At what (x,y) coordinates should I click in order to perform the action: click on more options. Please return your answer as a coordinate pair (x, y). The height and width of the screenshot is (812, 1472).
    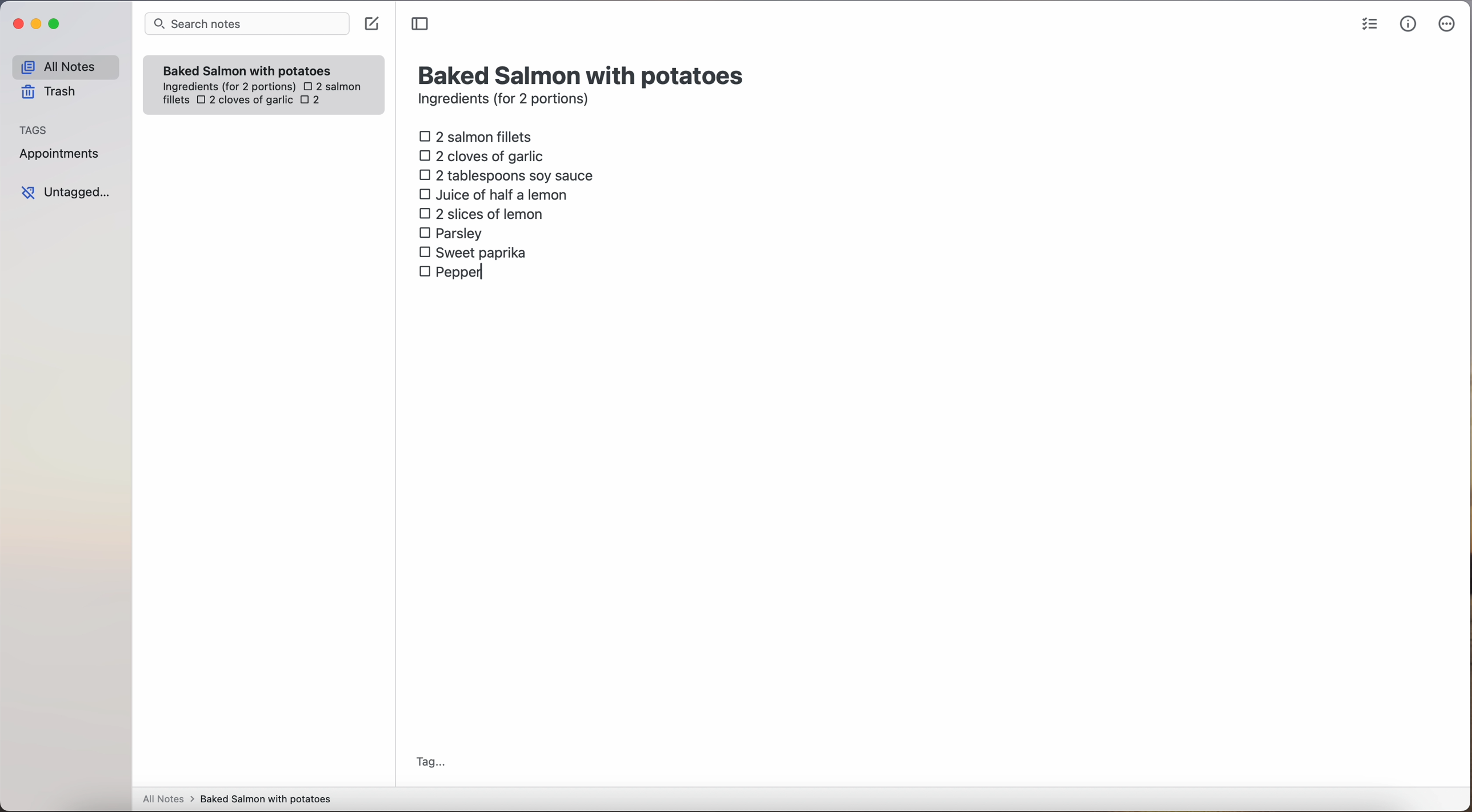
    Looking at the image, I should click on (1449, 25).